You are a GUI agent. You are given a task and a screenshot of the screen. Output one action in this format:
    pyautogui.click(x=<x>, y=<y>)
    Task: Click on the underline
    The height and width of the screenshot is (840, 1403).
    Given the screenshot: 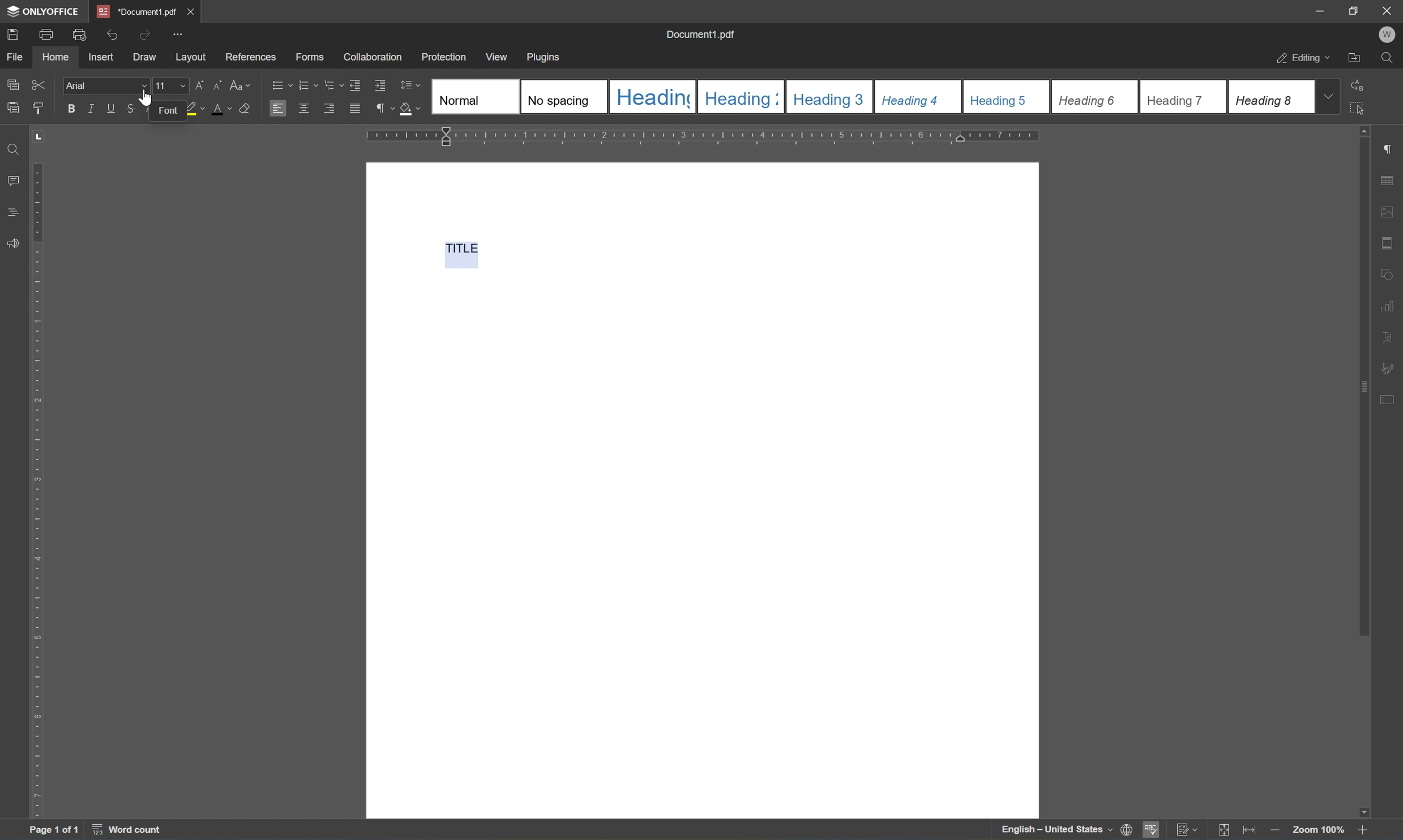 What is the action you would take?
    pyautogui.click(x=109, y=110)
    